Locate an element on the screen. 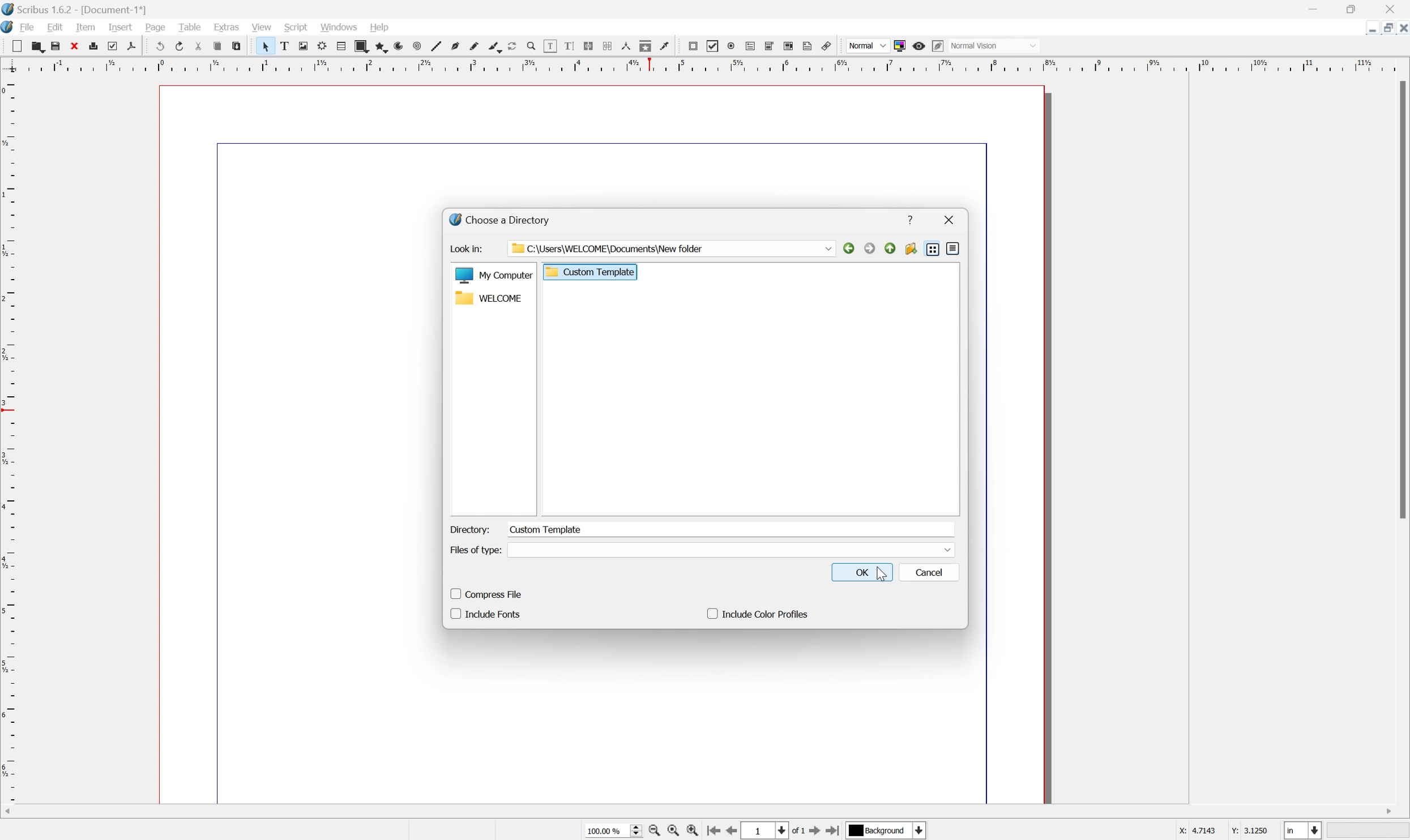 The height and width of the screenshot is (840, 1410). Unlink text frames is located at coordinates (608, 45).